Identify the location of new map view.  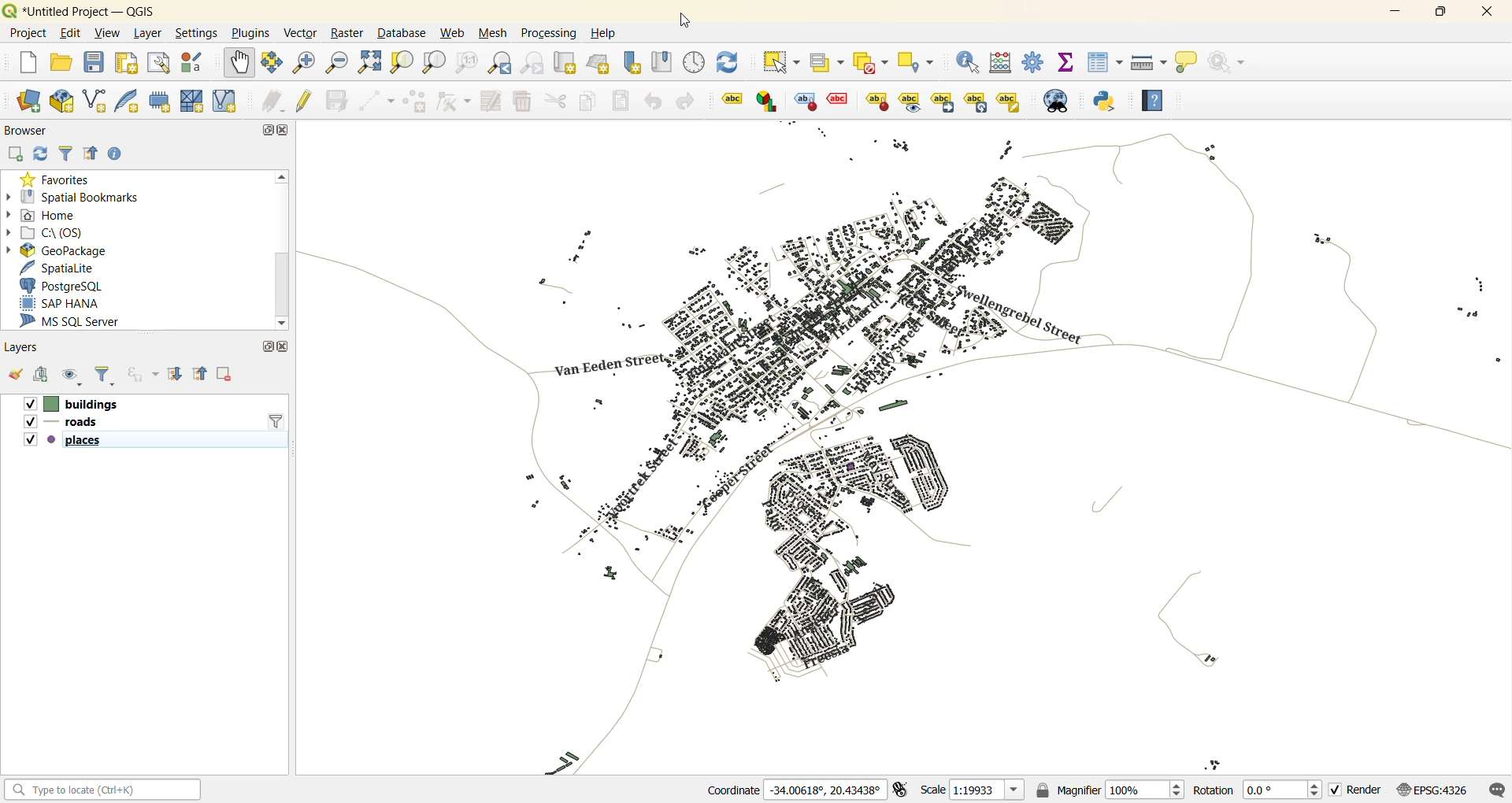
(567, 62).